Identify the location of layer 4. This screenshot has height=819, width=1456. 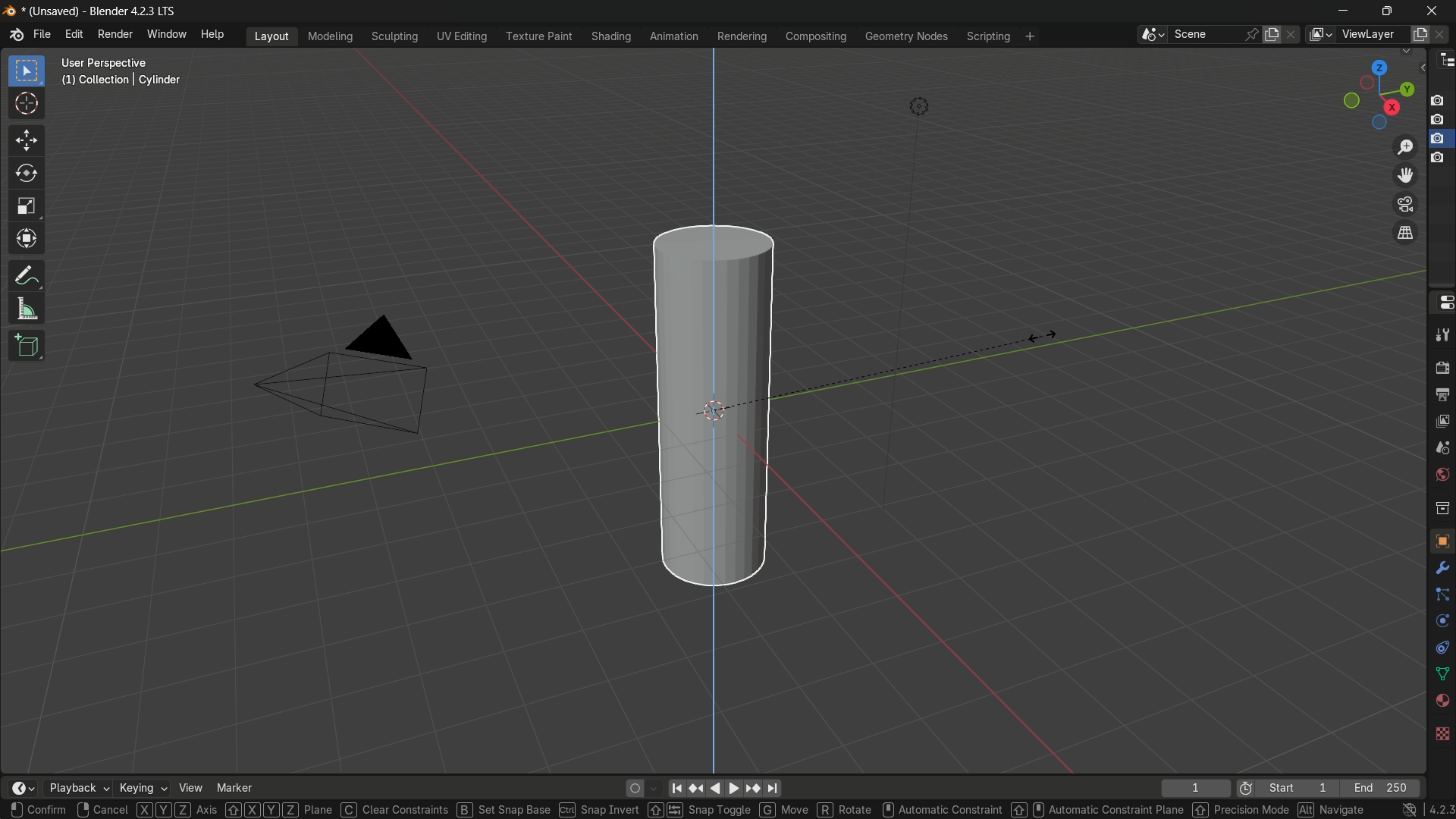
(1439, 157).